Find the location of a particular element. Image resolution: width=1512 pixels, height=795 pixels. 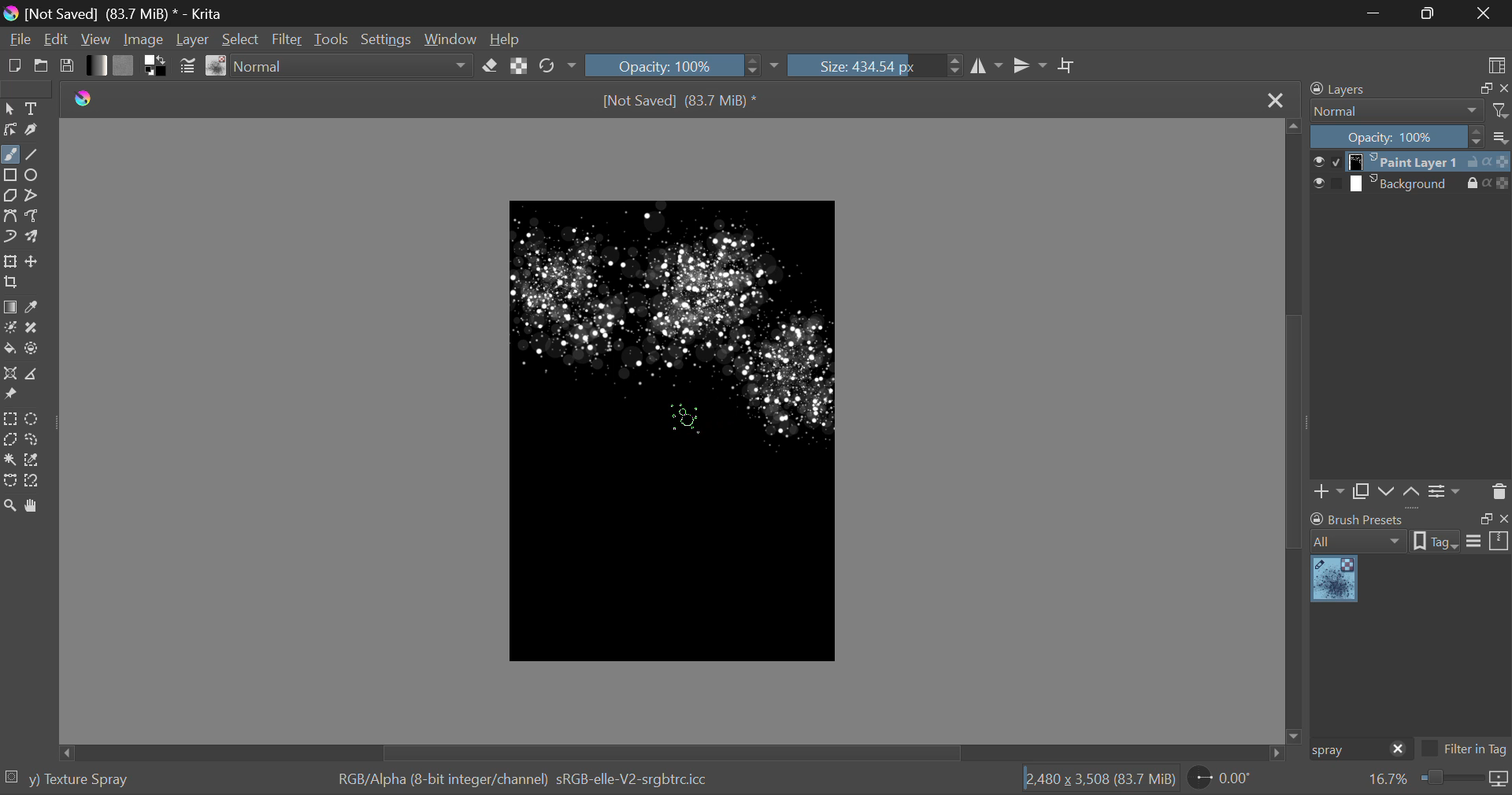

Settings is located at coordinates (1447, 492).